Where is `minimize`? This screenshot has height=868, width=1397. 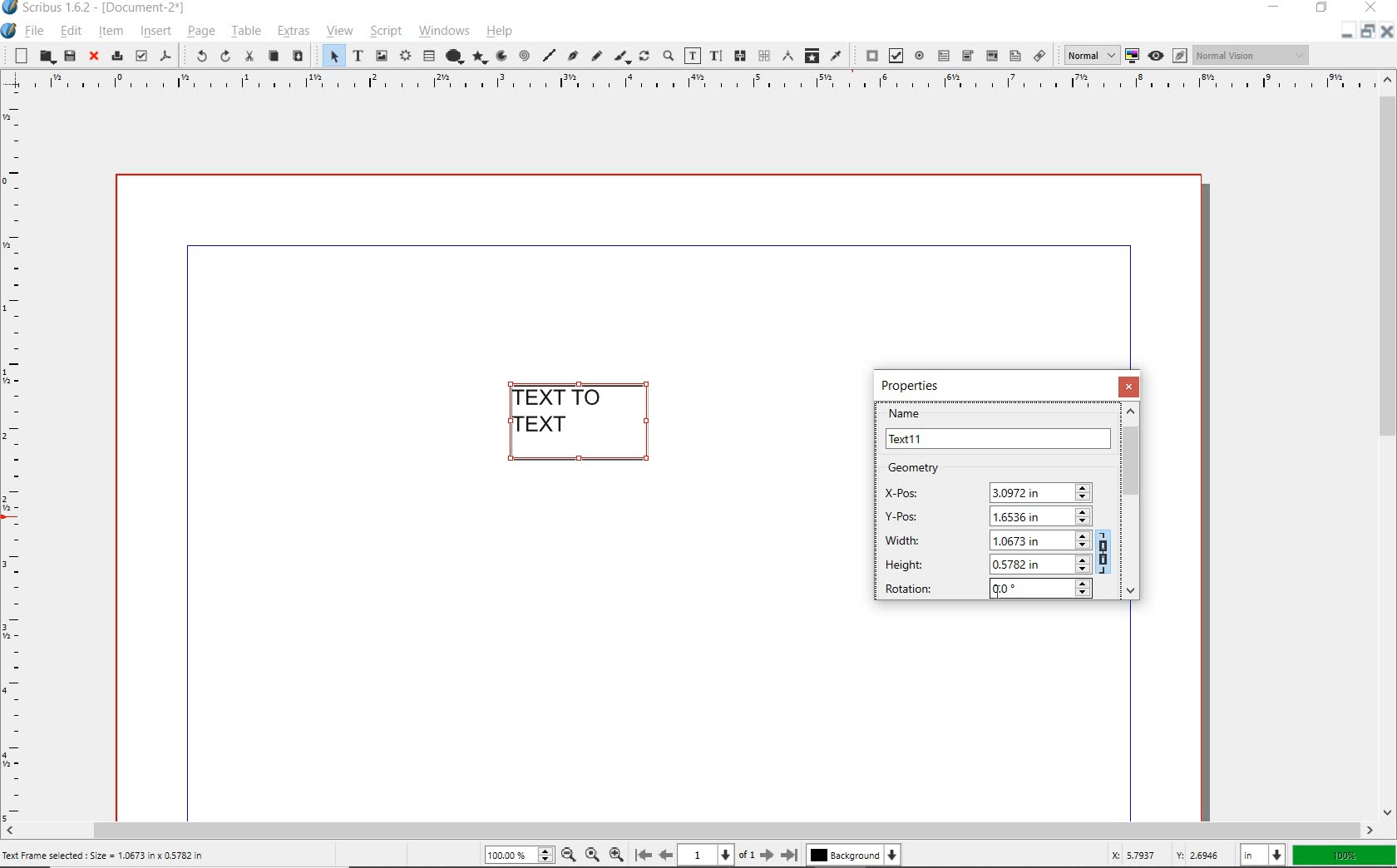 minimize is located at coordinates (1345, 34).